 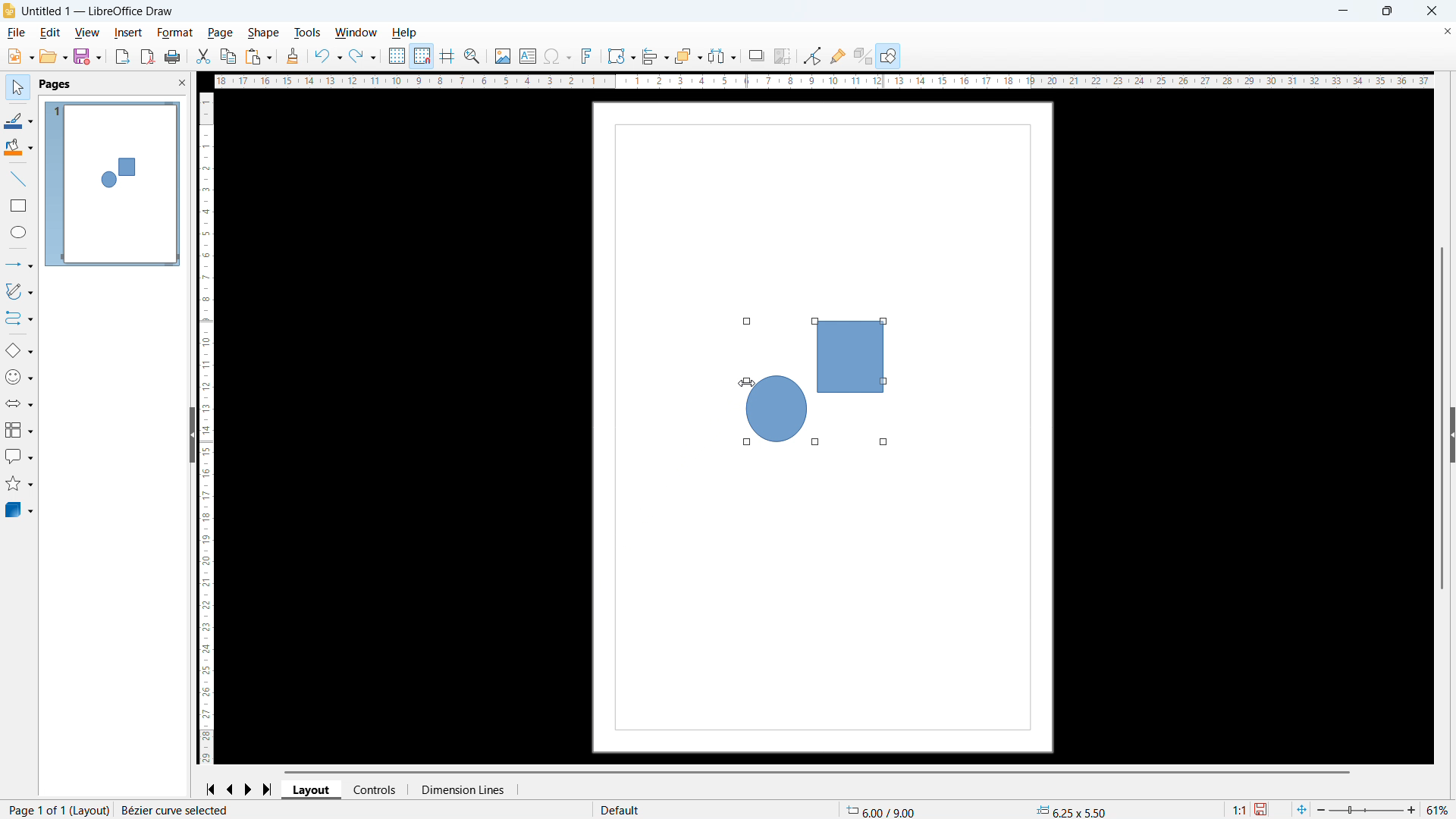 I want to click on Tools , so click(x=308, y=32).